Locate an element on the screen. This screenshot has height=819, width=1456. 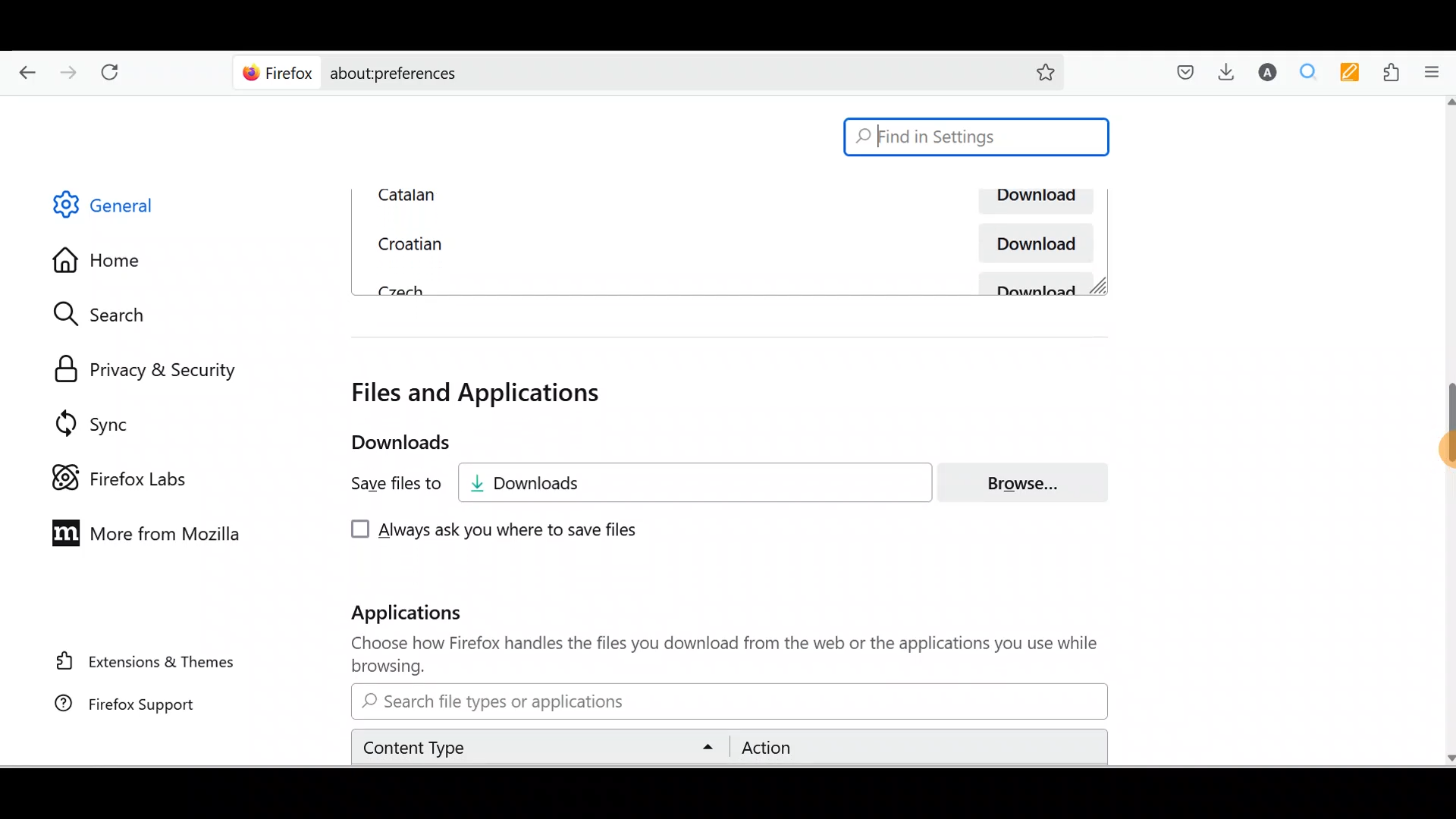
scroll up is located at coordinates (1447, 101).